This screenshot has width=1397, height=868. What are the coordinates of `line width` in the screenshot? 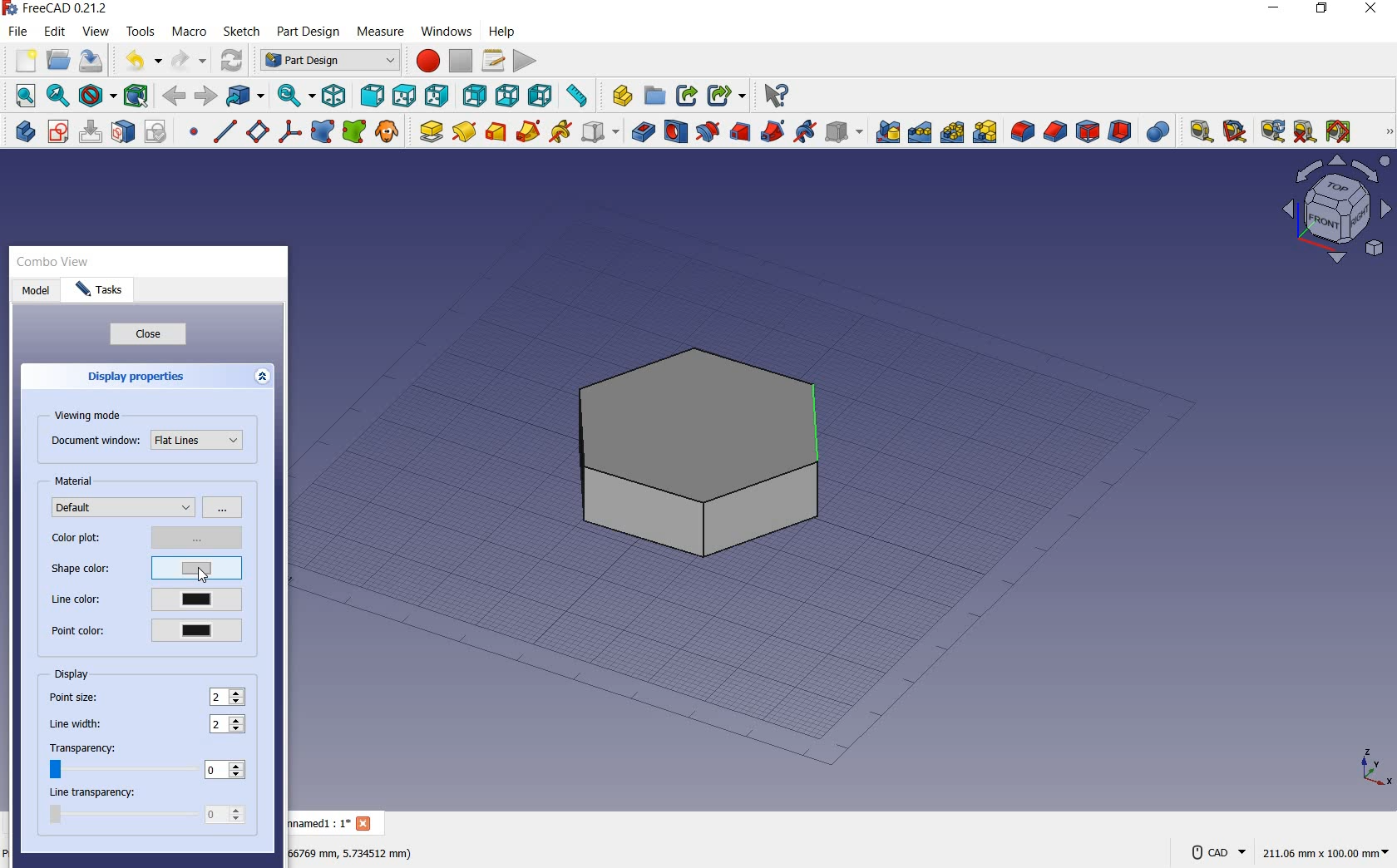 It's located at (79, 727).